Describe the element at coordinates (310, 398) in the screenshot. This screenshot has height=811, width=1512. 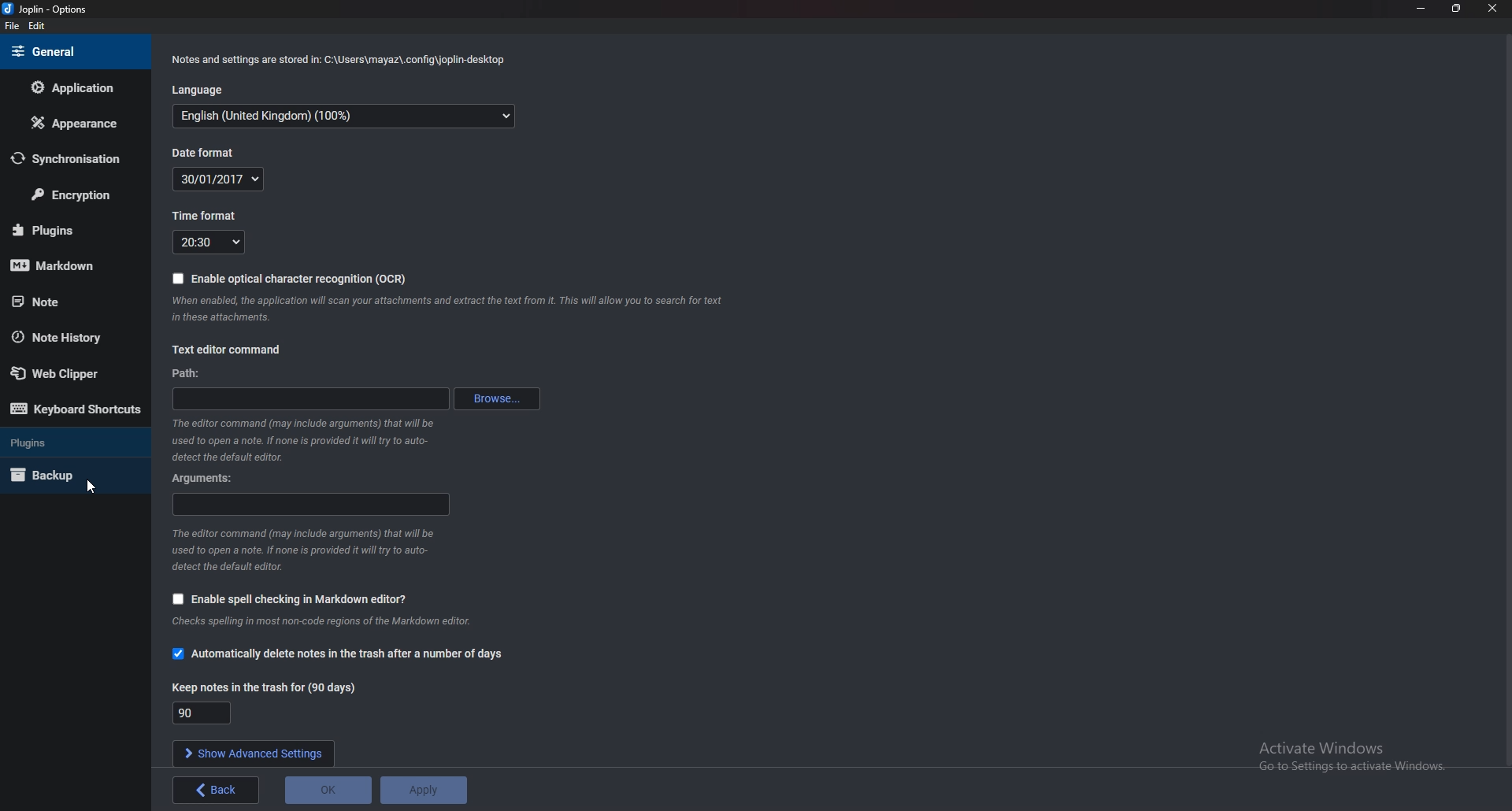
I see `path` at that location.